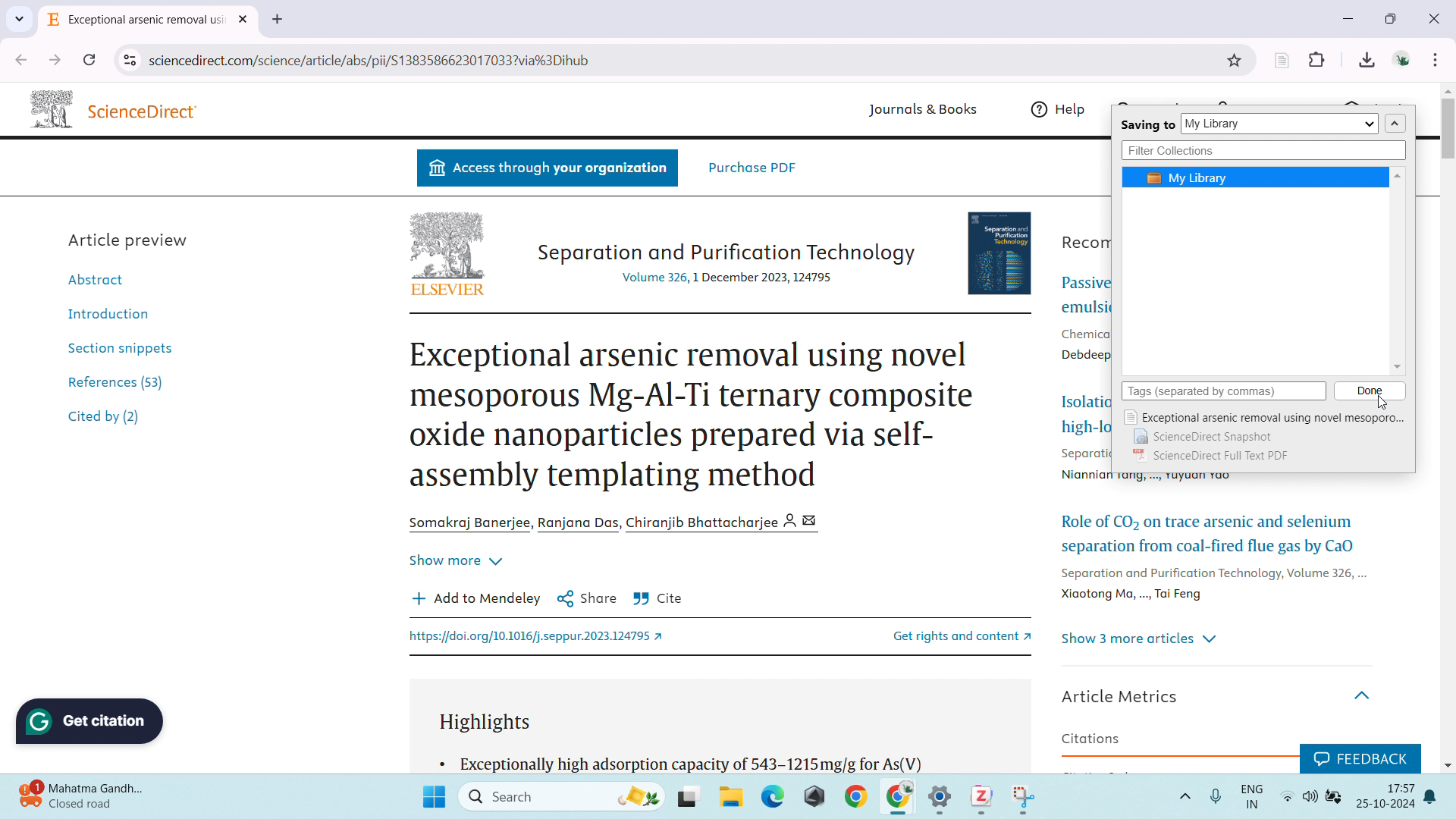  Describe the element at coordinates (683, 762) in the screenshot. I see `« Exceptionally high adsorption capacity of 543-1215mg/g for As(V)` at that location.